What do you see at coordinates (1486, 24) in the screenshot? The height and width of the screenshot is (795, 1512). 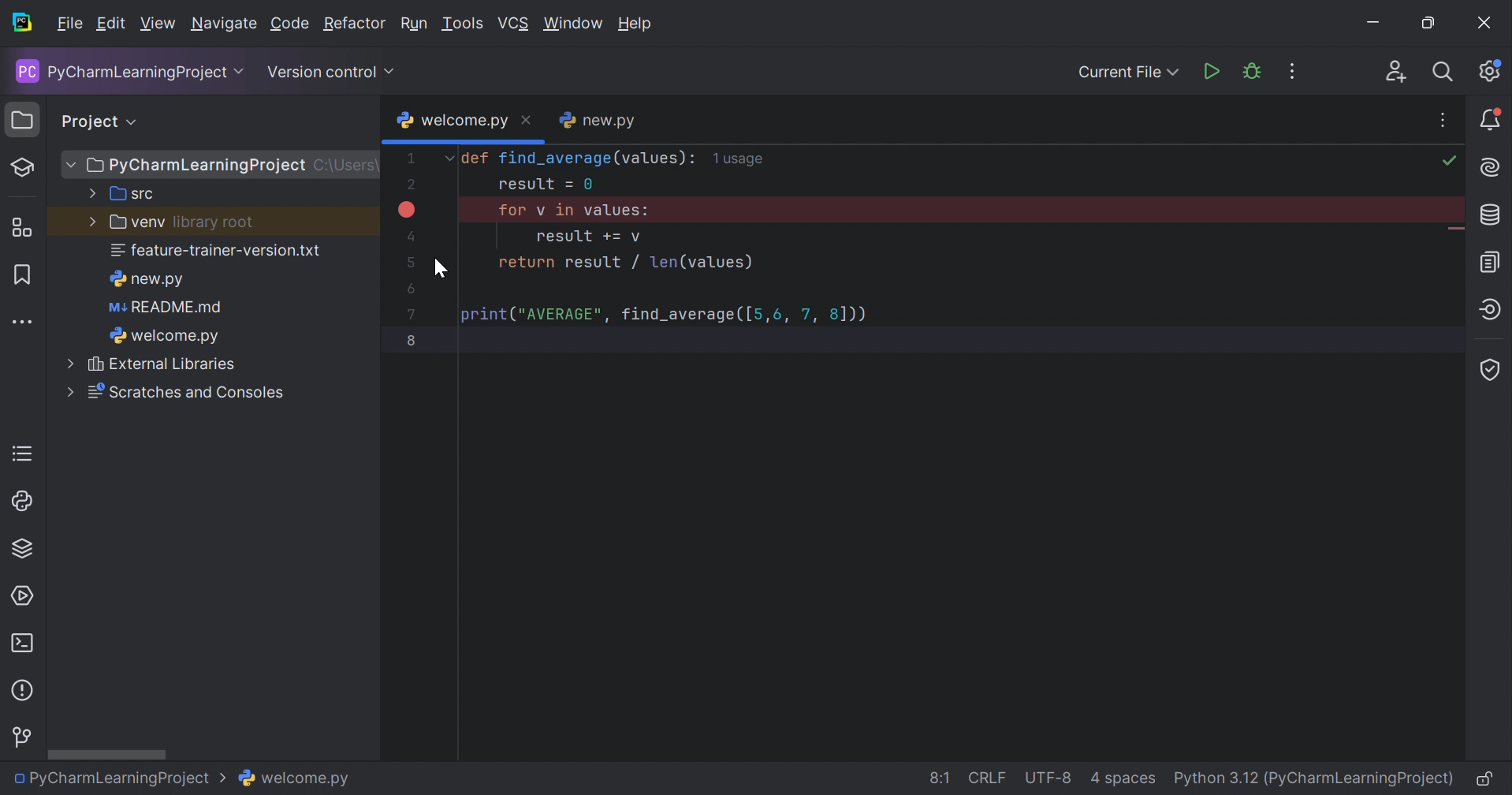 I see `Close` at bounding box center [1486, 24].